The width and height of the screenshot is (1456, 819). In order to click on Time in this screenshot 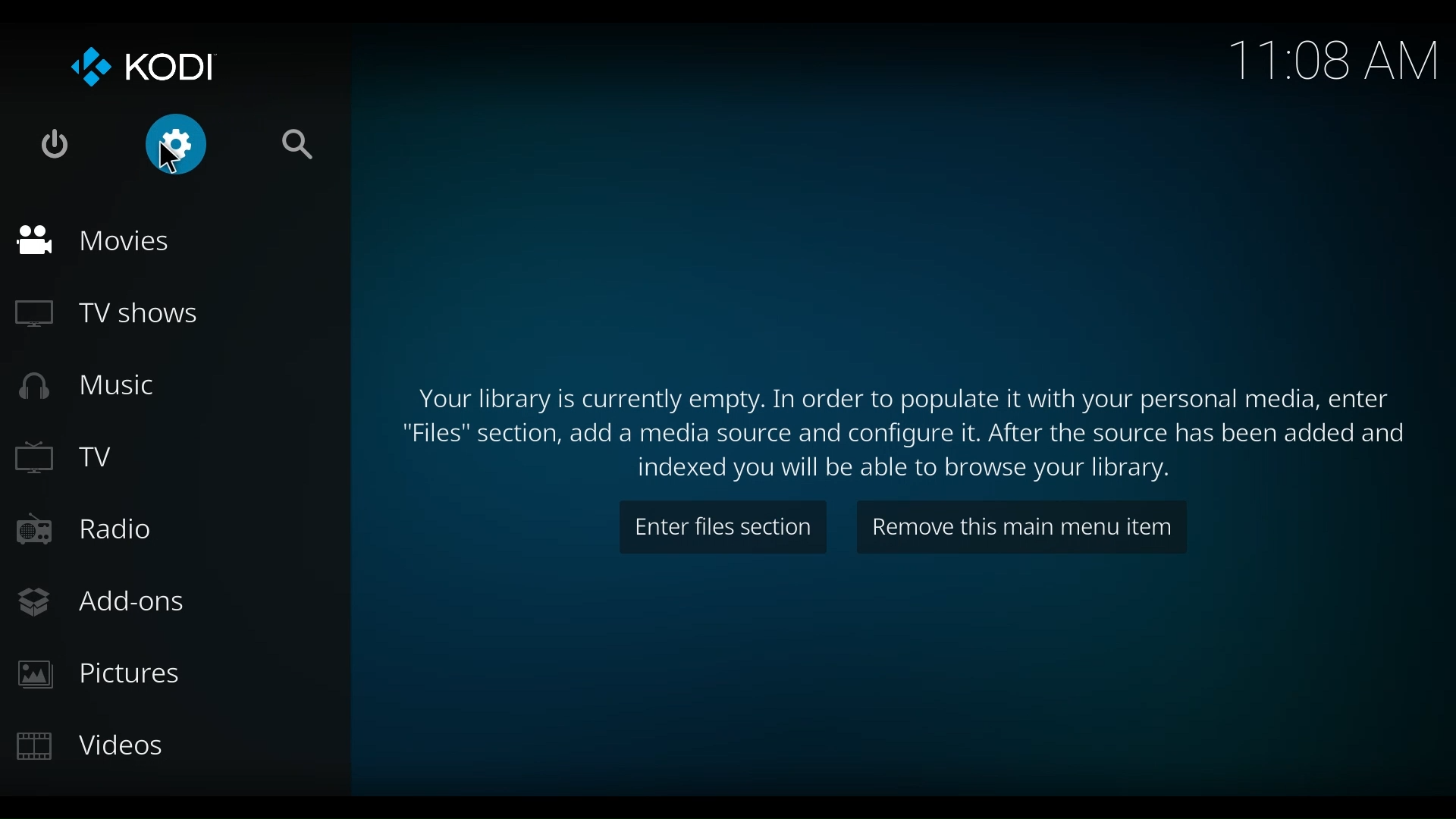, I will do `click(1335, 61)`.